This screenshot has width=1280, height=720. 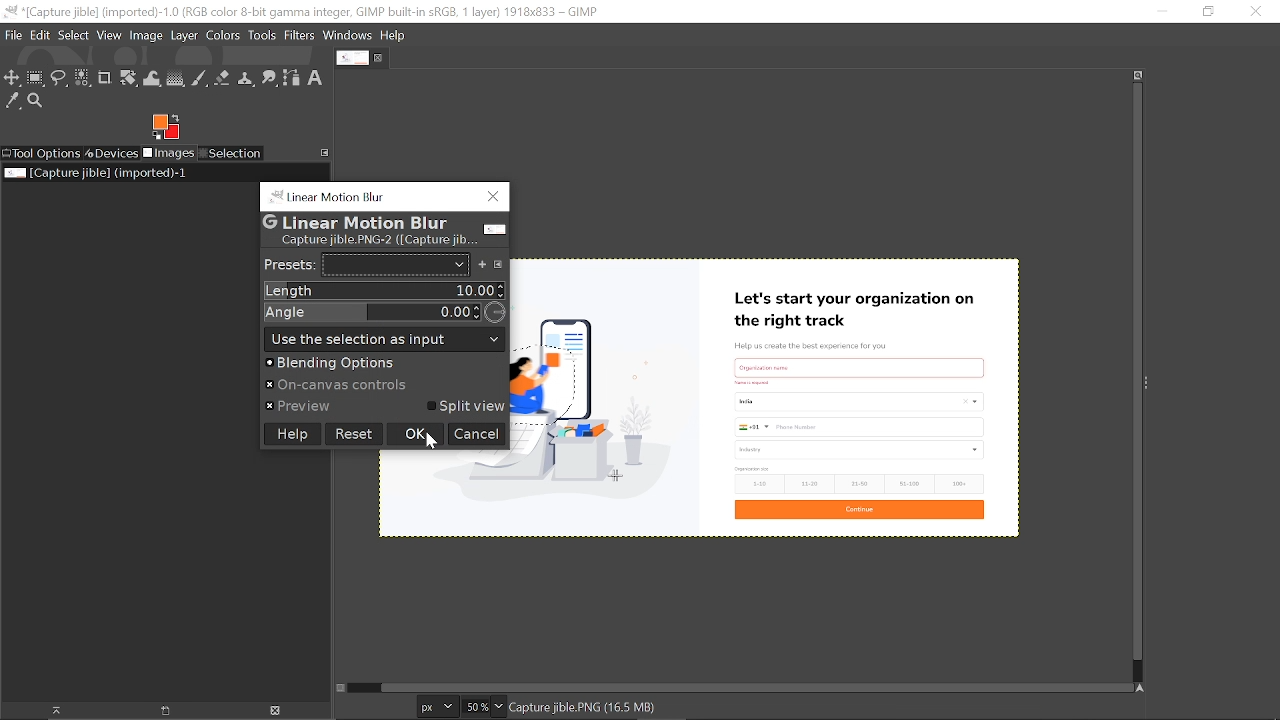 What do you see at coordinates (184, 37) in the screenshot?
I see `Layer` at bounding box center [184, 37].